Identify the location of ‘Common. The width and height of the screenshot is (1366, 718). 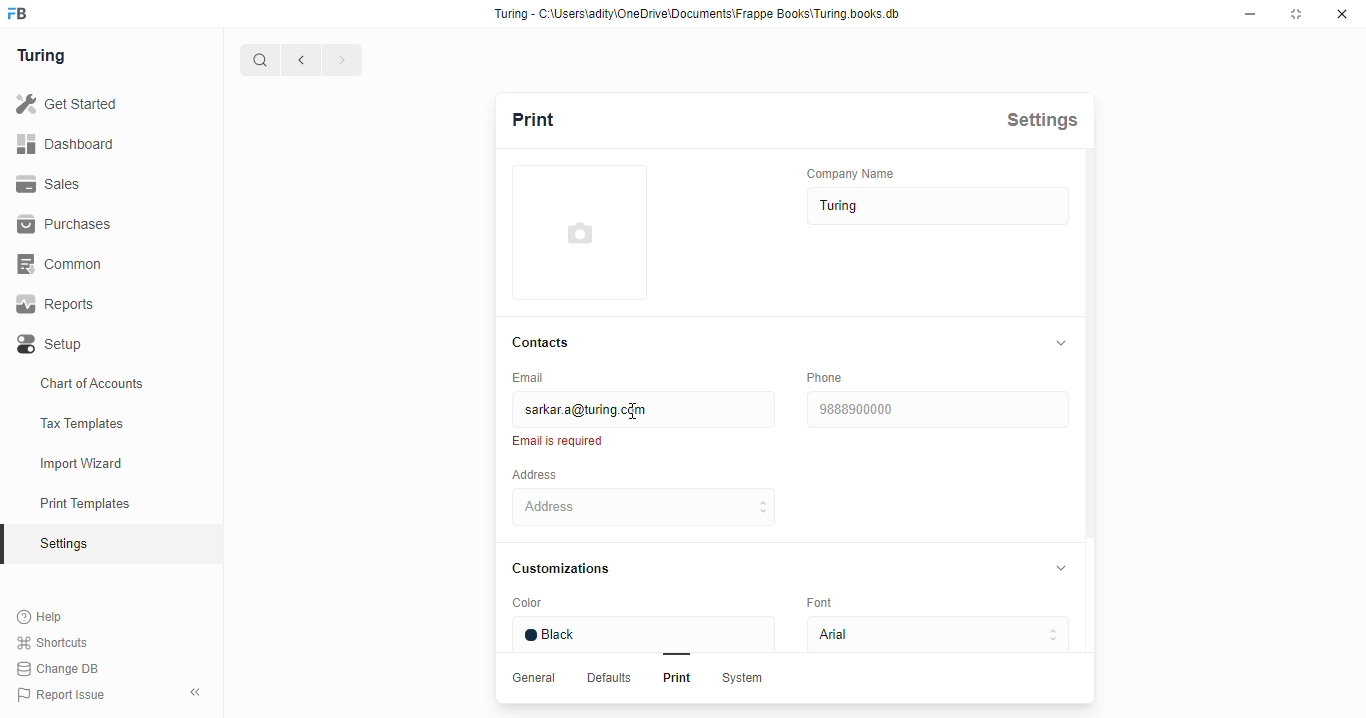
(65, 263).